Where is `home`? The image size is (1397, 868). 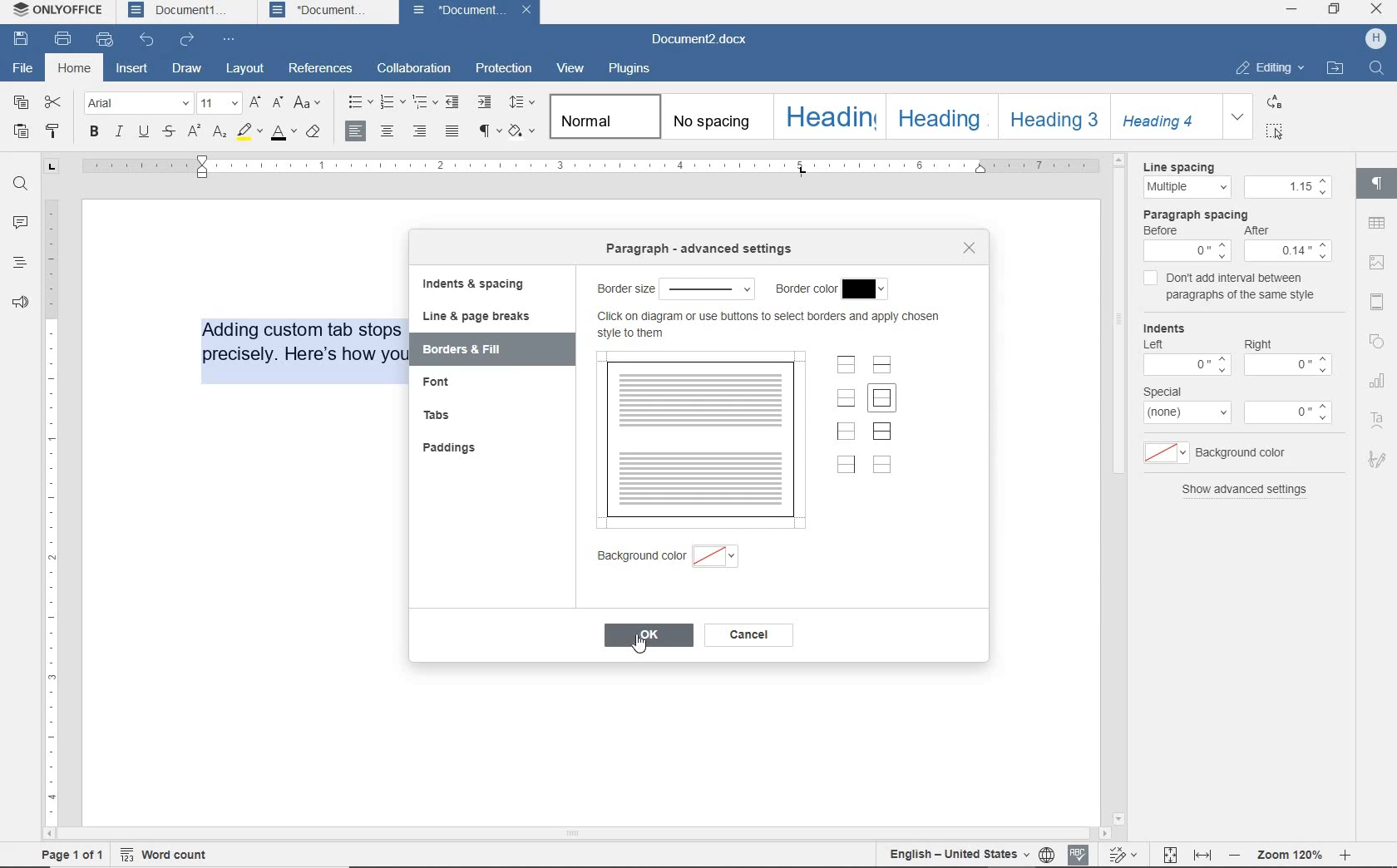
home is located at coordinates (74, 69).